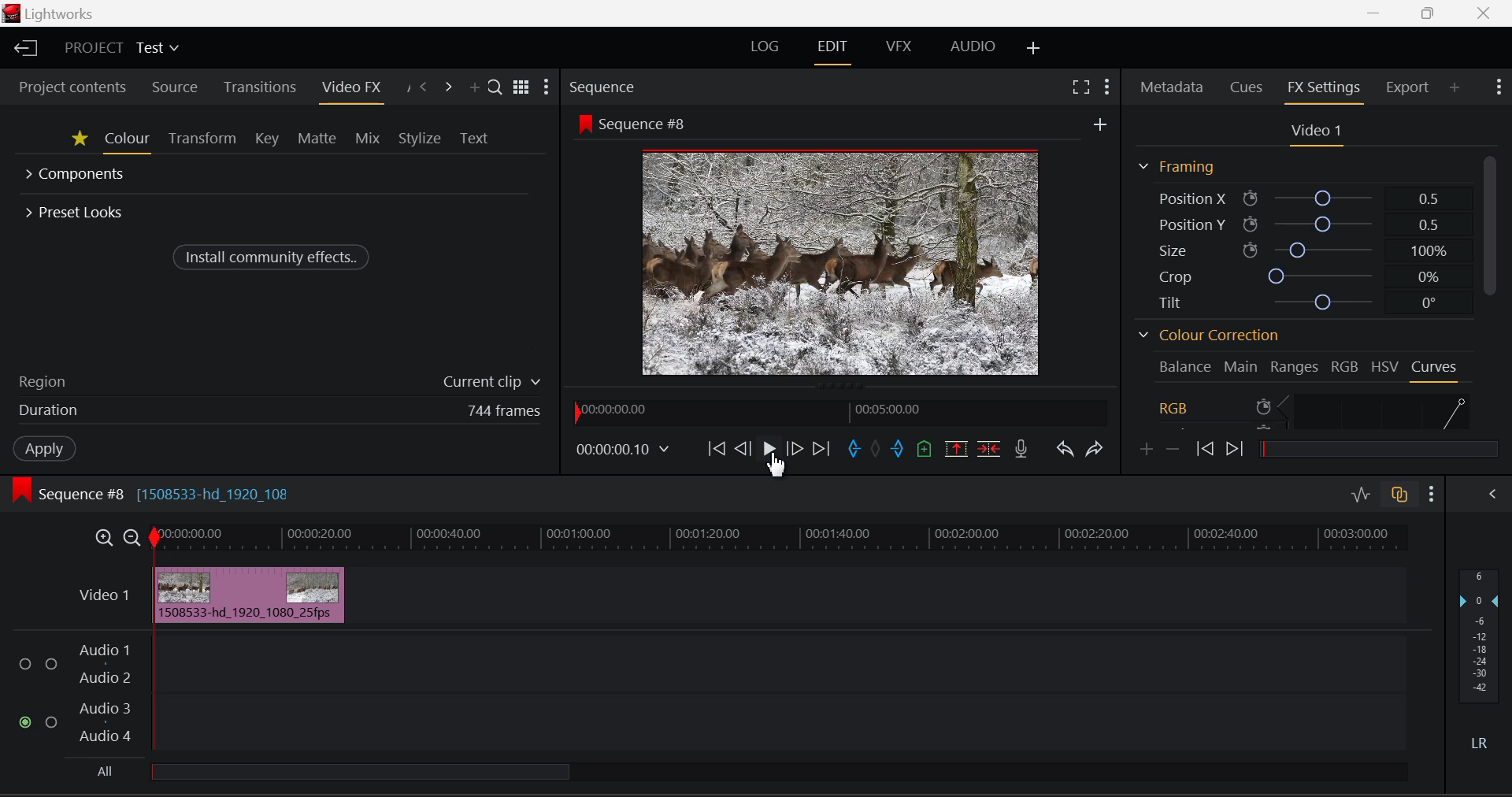 This screenshot has height=797, width=1512. Describe the element at coordinates (349, 87) in the screenshot. I see `Video FX` at that location.